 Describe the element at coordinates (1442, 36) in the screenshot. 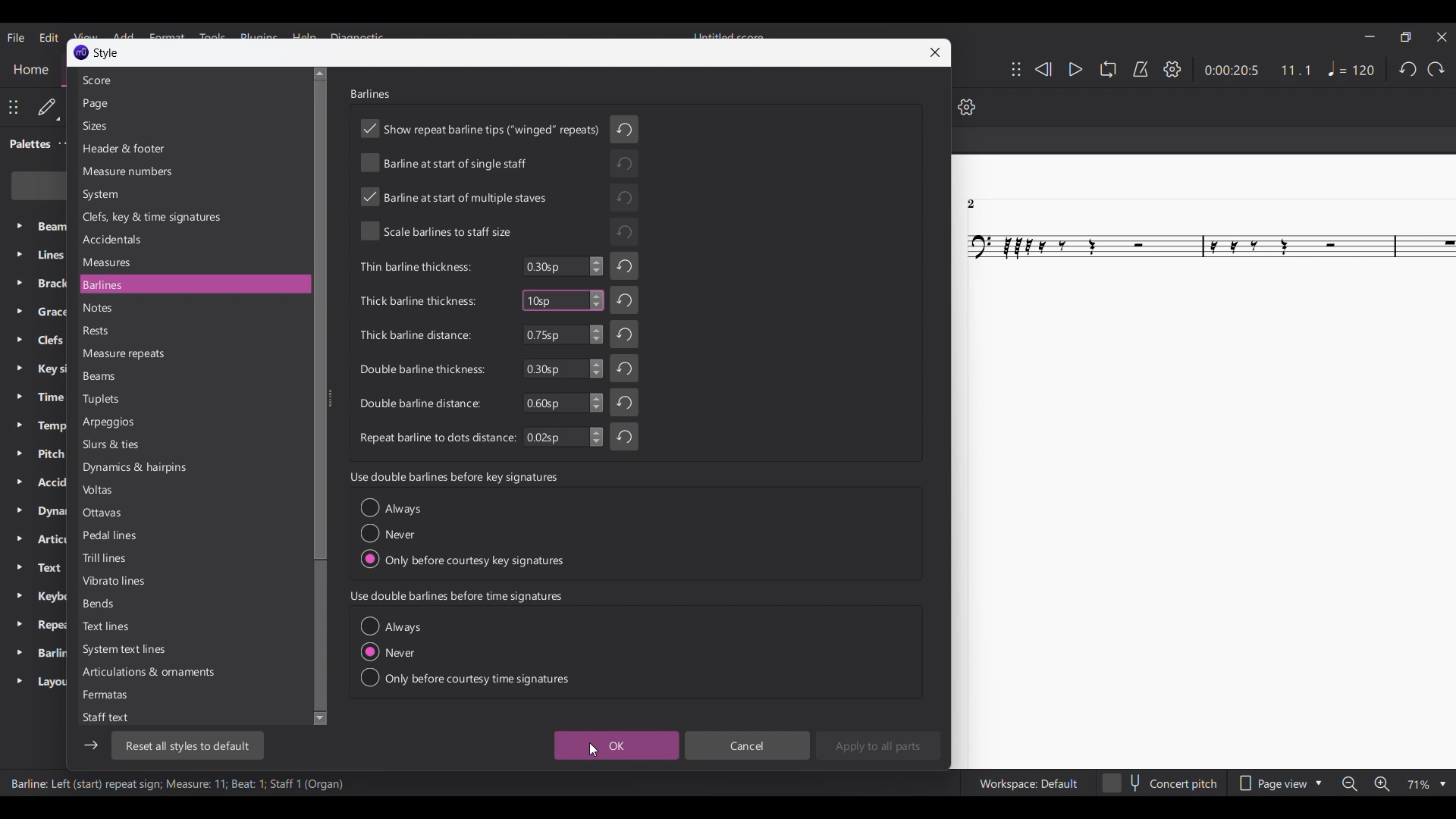

I see `Close interface` at that location.